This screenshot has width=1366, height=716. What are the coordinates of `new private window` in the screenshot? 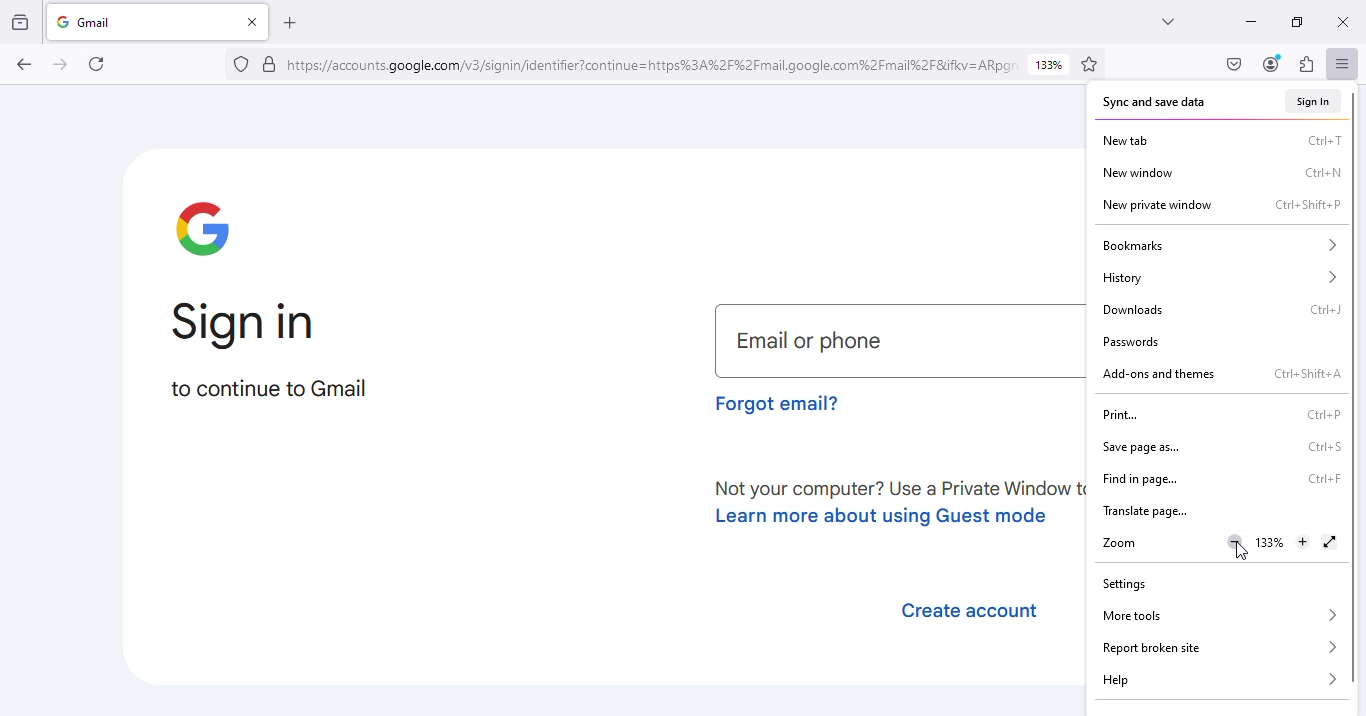 It's located at (1156, 206).